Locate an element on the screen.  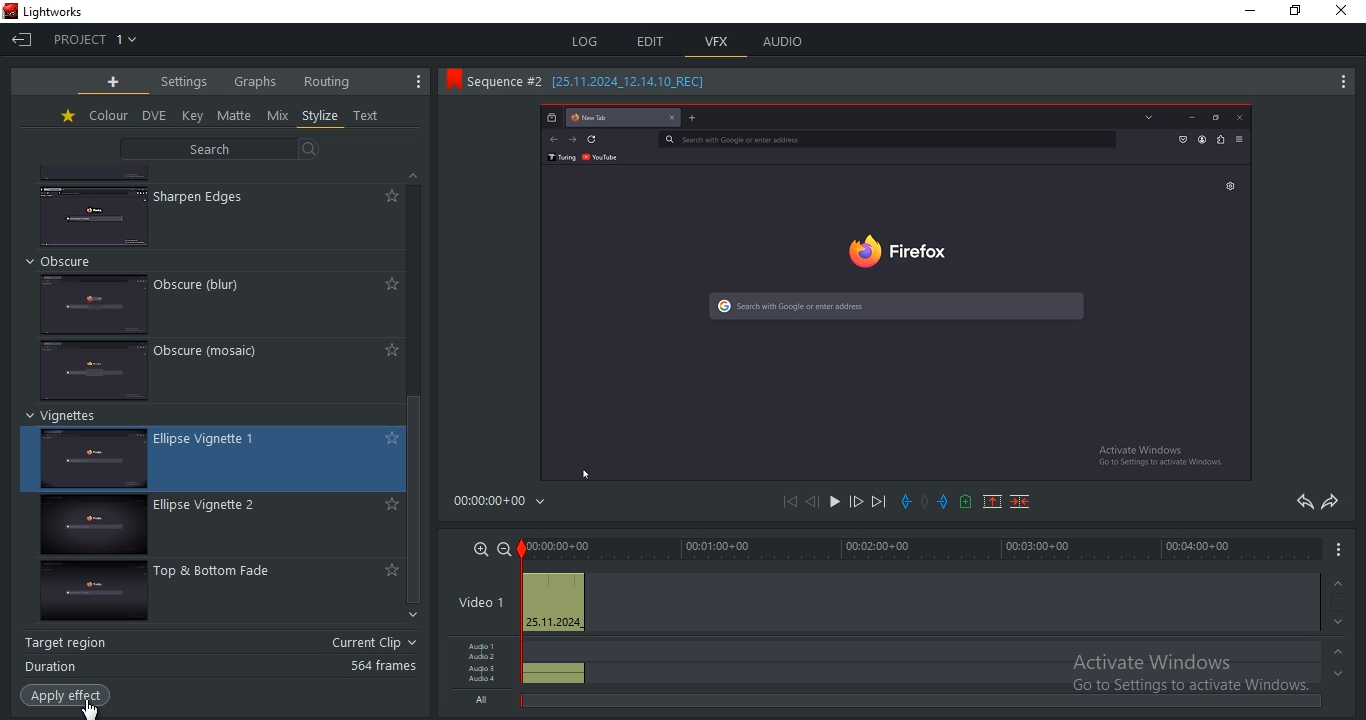
top & bottom fade is located at coordinates (91, 595).